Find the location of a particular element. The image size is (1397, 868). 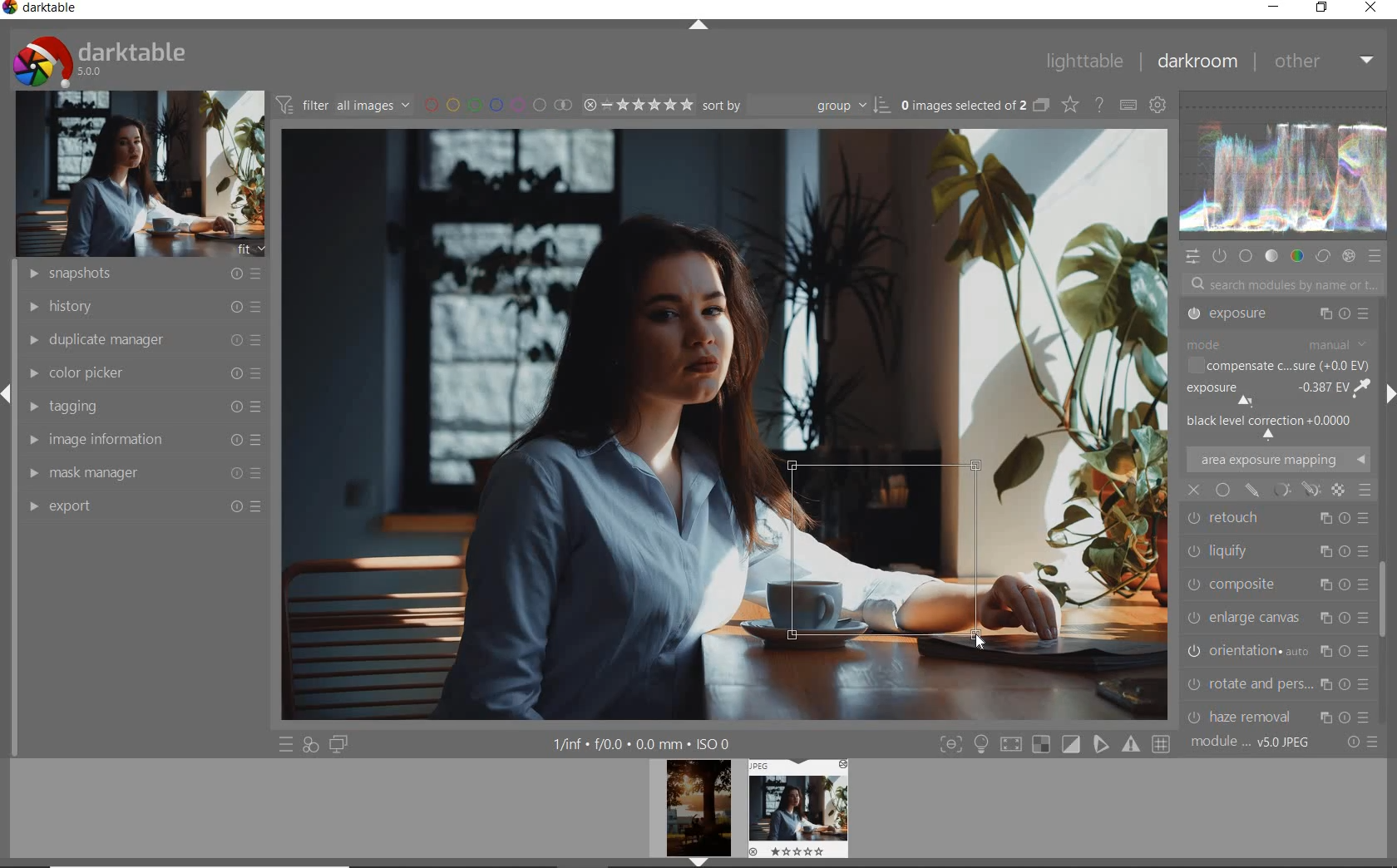

HAZE REMOVAL is located at coordinates (1278, 614).